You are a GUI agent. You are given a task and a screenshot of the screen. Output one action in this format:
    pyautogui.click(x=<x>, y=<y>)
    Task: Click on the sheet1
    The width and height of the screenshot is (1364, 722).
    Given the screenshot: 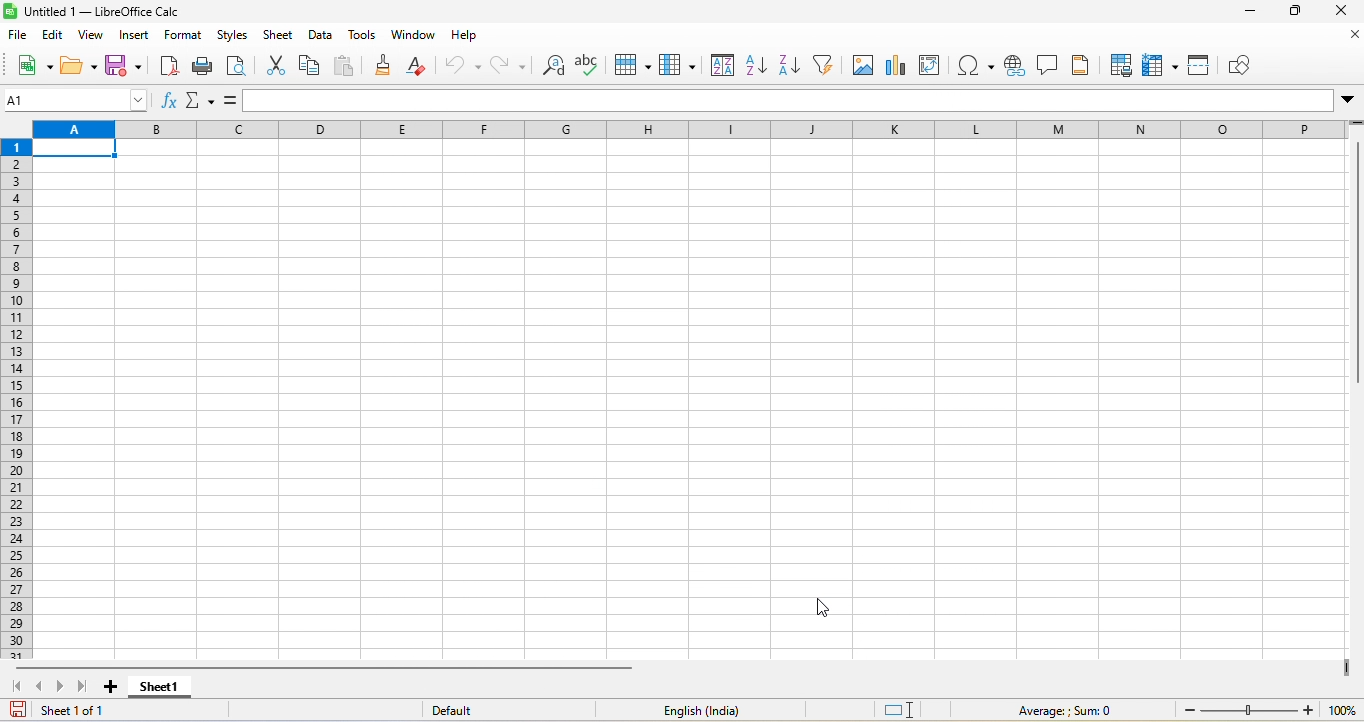 What is the action you would take?
    pyautogui.click(x=162, y=688)
    